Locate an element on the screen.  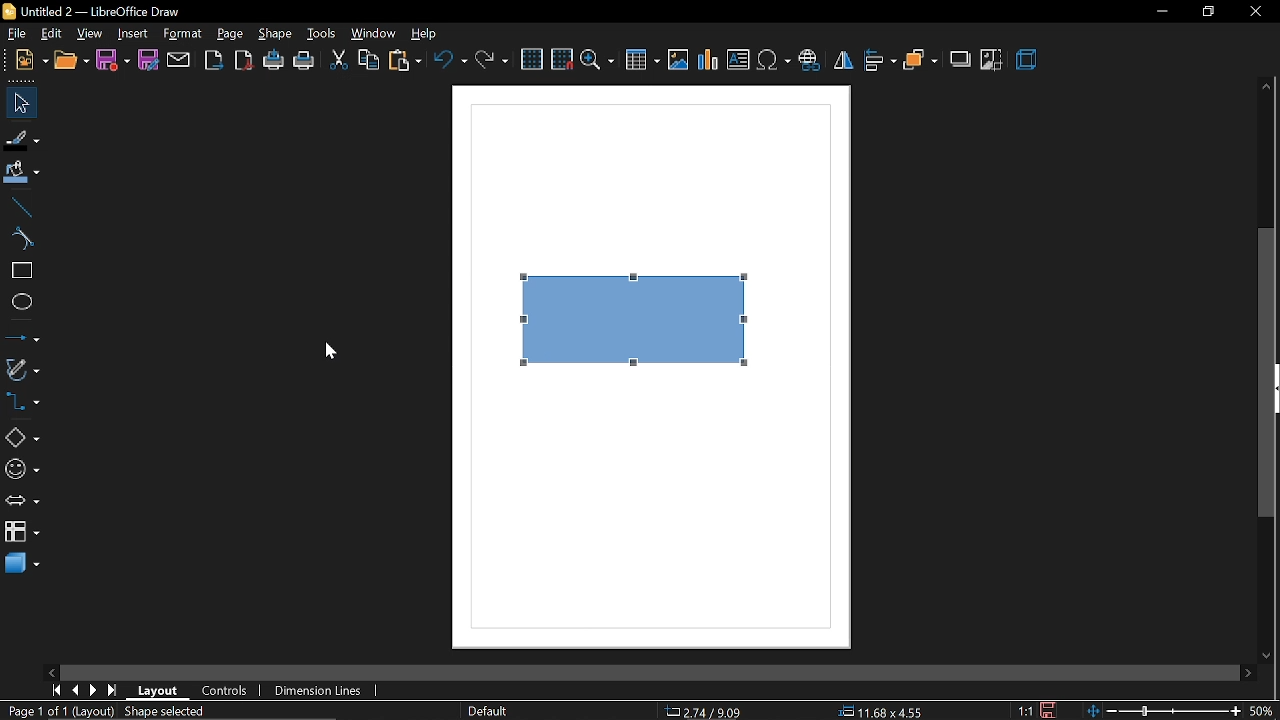
insert is located at coordinates (132, 34).